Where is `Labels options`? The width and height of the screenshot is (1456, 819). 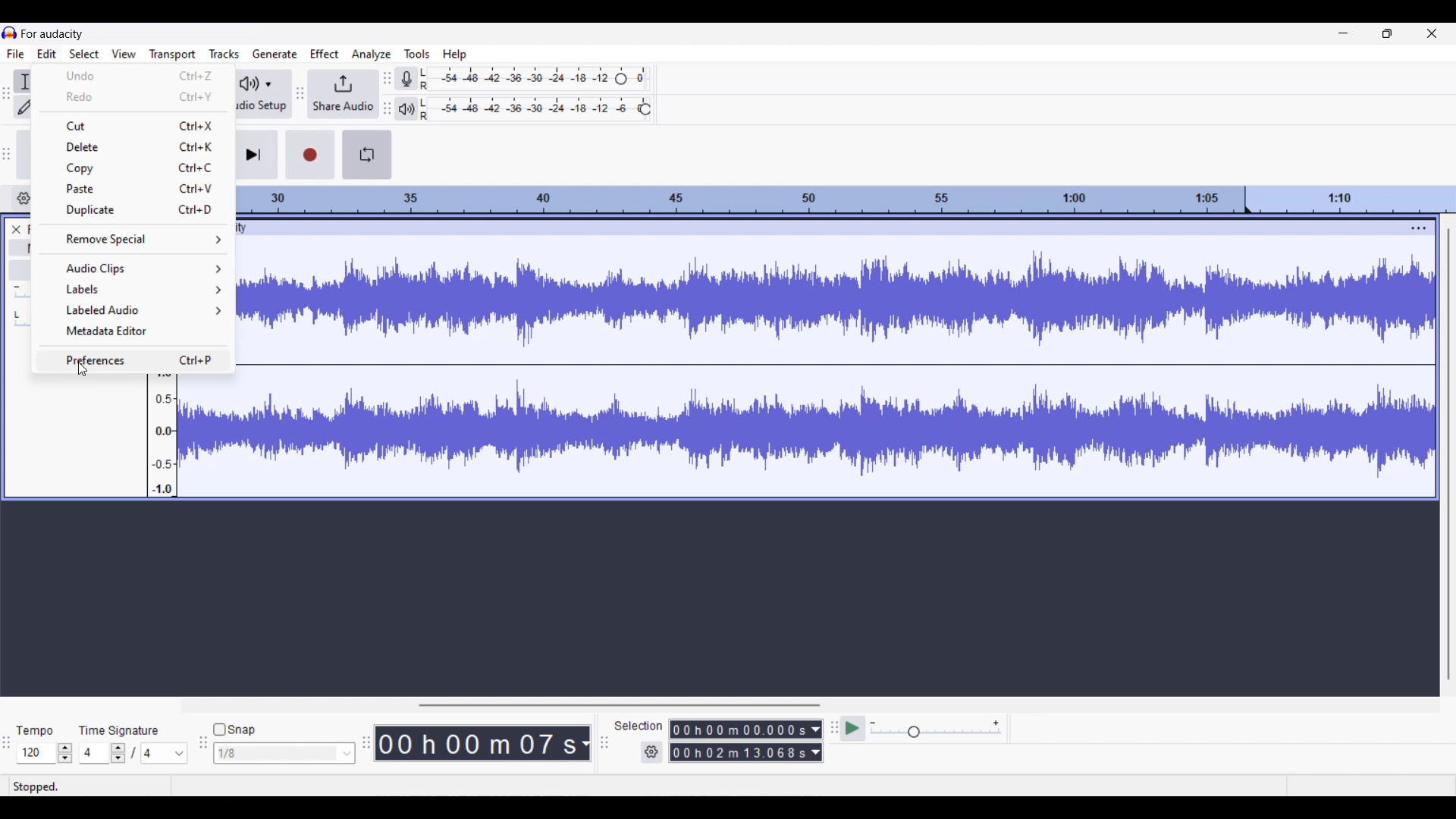
Labels options is located at coordinates (134, 290).